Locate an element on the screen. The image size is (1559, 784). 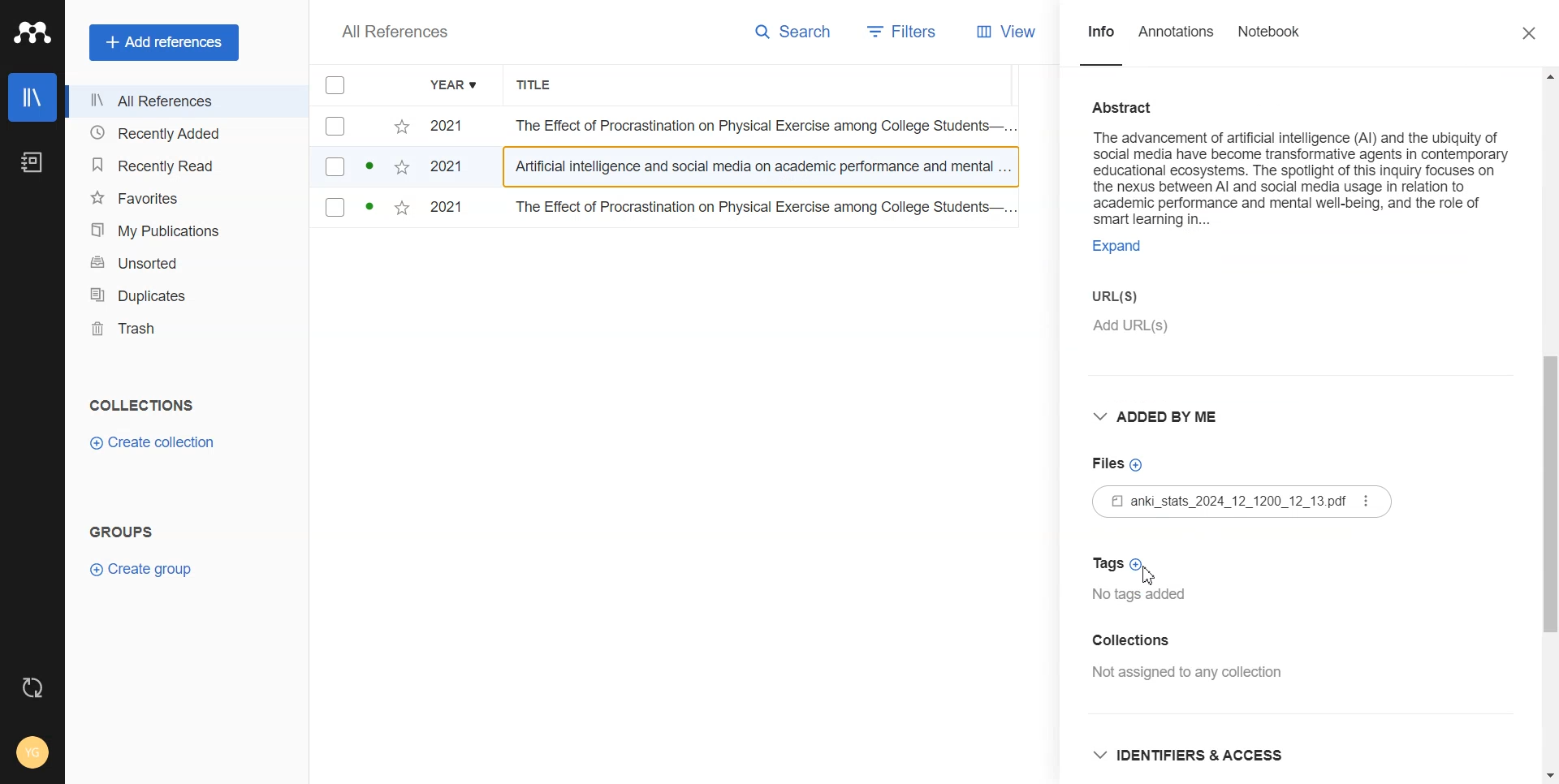
2021 is located at coordinates (453, 209).